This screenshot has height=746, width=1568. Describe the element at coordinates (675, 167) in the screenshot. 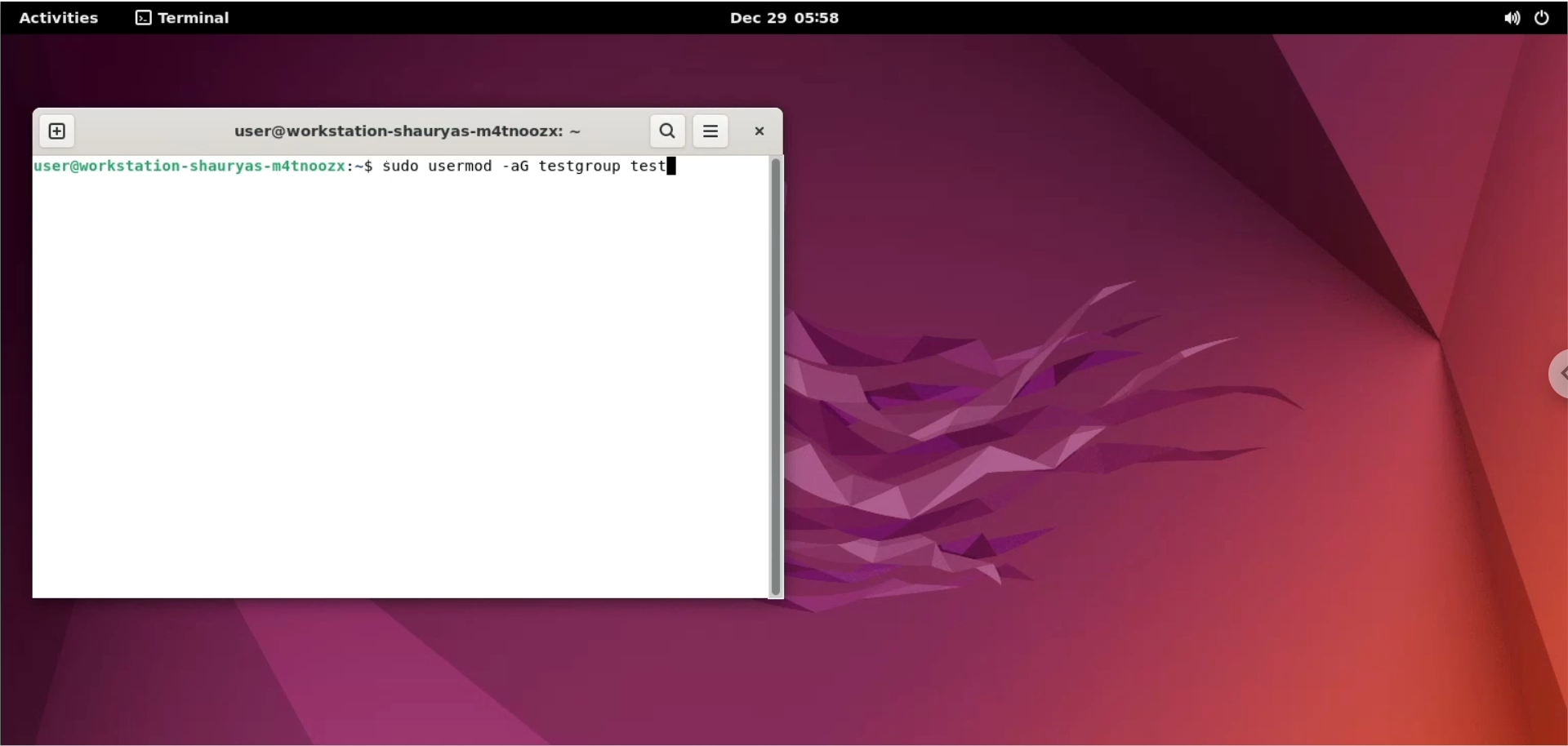

I see `Typing cursor` at that location.